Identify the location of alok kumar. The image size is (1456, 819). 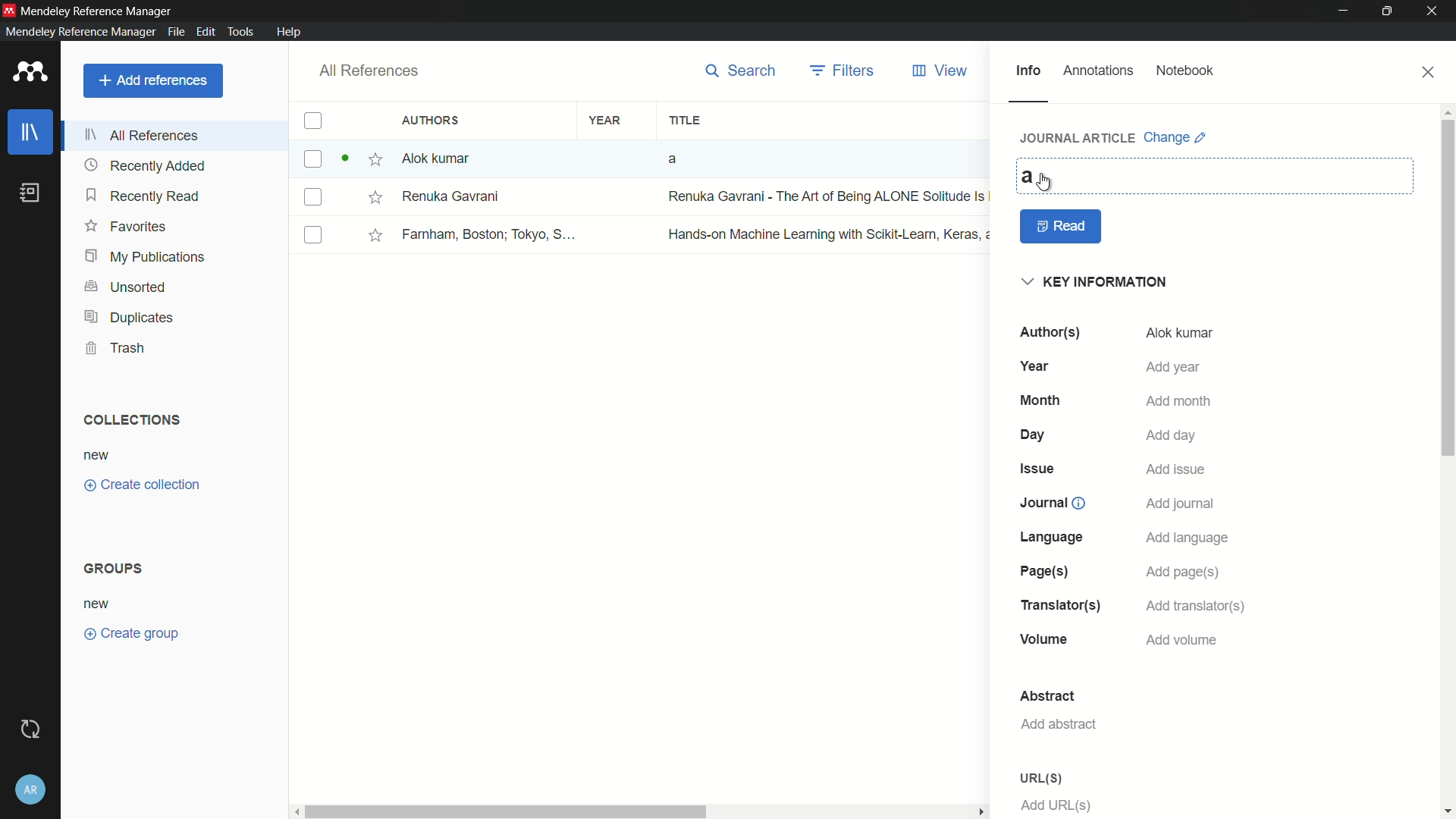
(1179, 334).